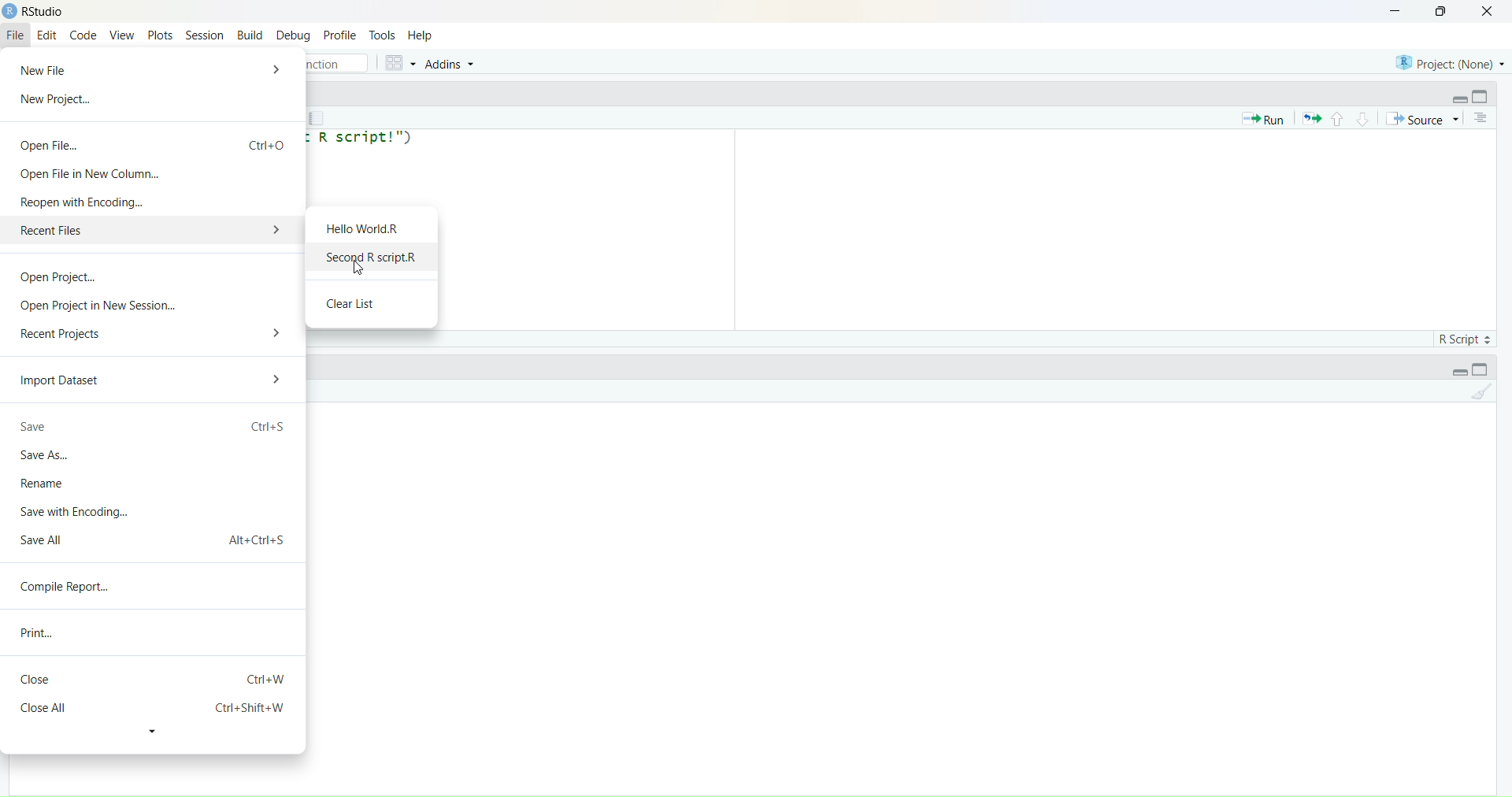 The height and width of the screenshot is (797, 1512). I want to click on Clear List, so click(361, 302).